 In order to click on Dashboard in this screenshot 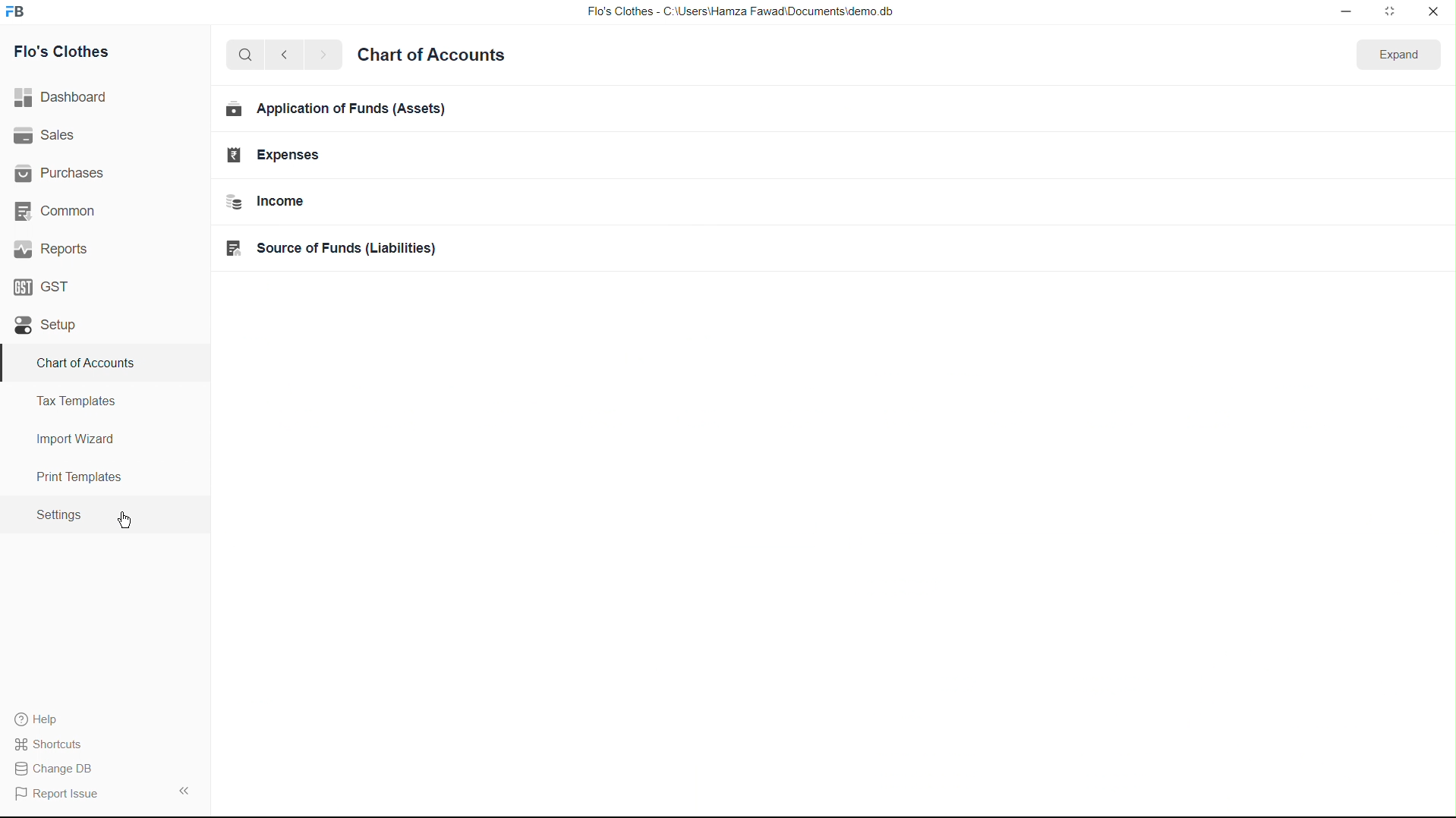, I will do `click(66, 98)`.